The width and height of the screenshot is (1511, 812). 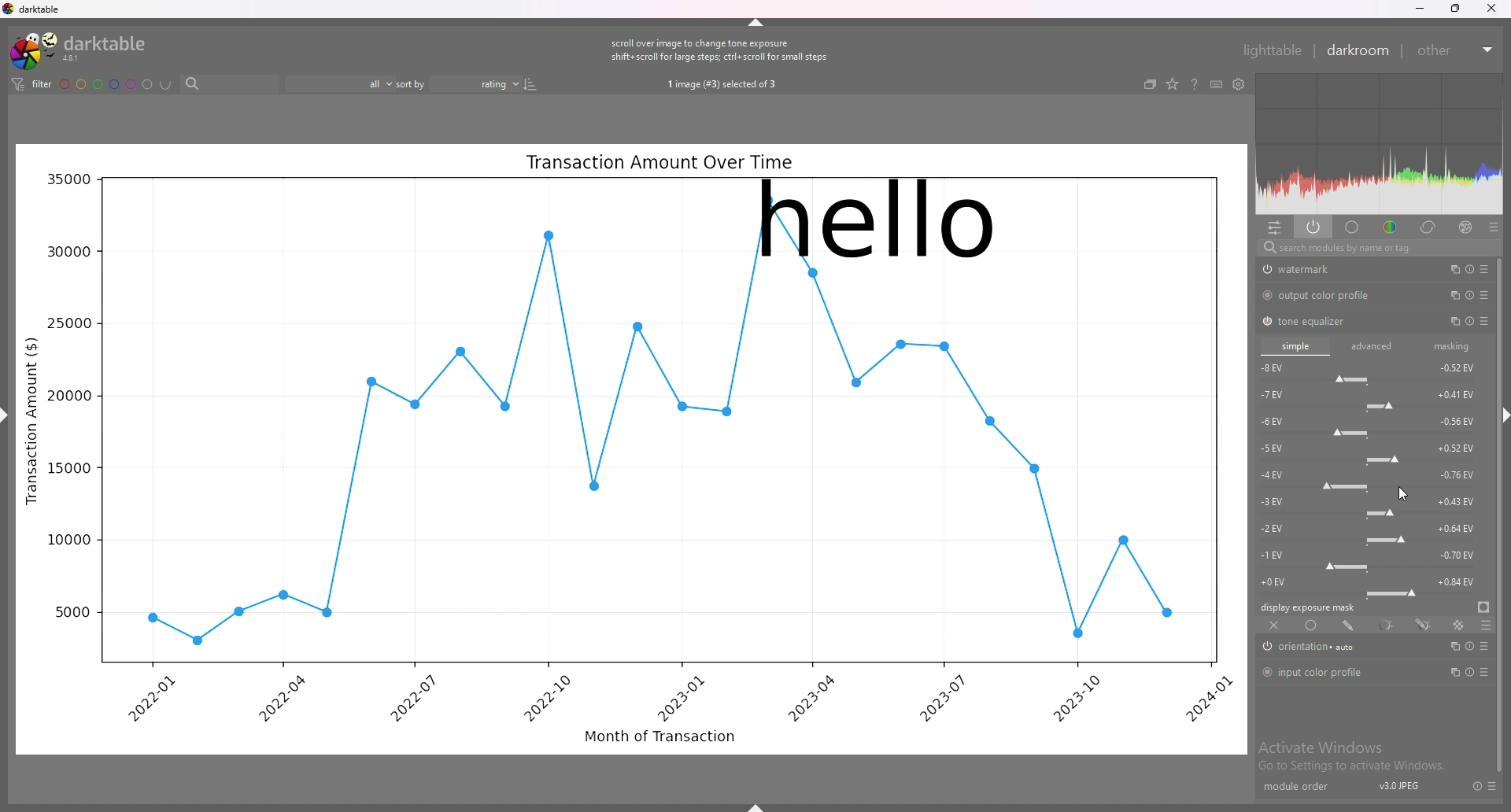 What do you see at coordinates (1372, 346) in the screenshot?
I see `advanced` at bounding box center [1372, 346].